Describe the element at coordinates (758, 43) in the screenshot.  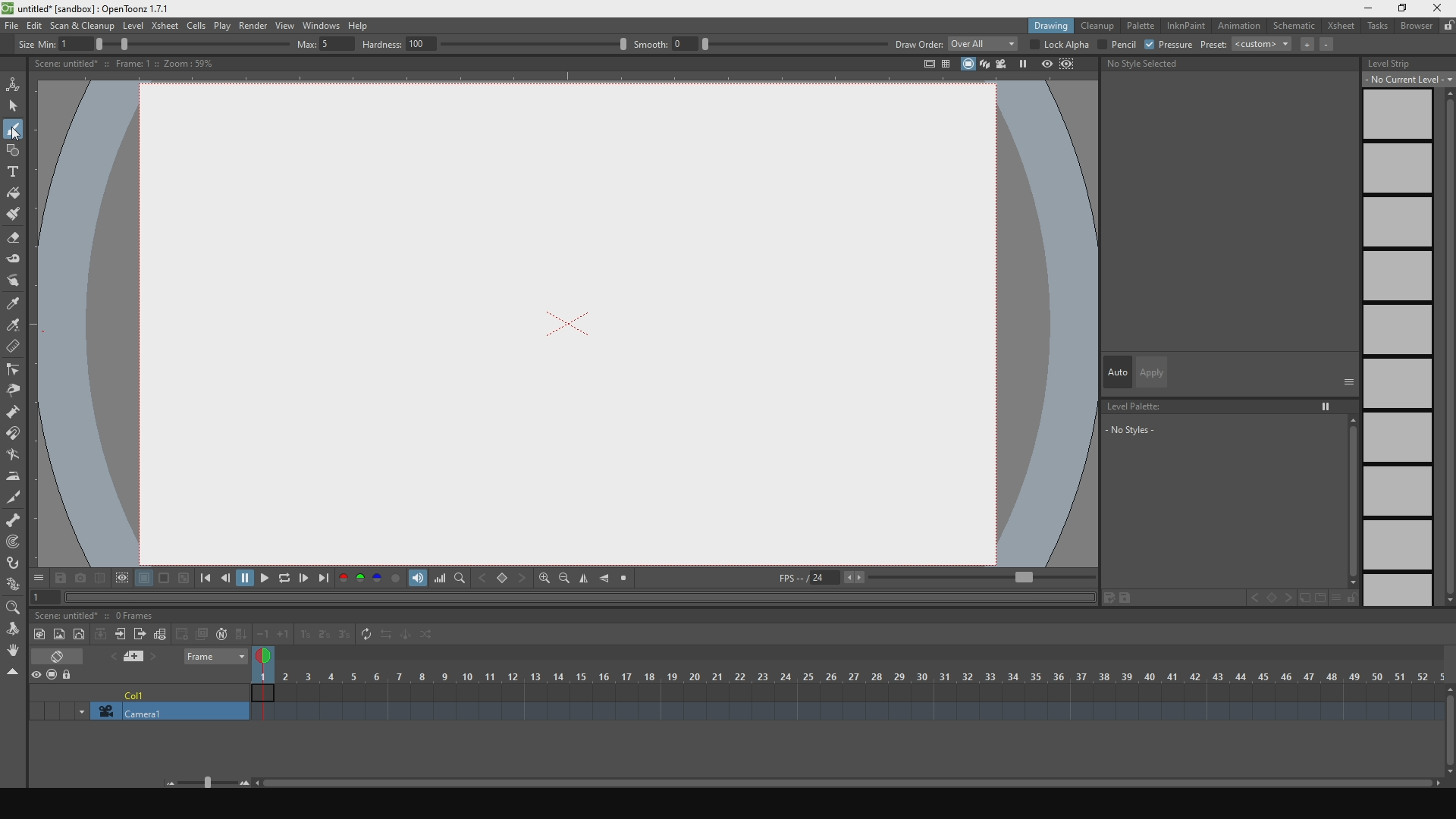
I see `smooth` at that location.